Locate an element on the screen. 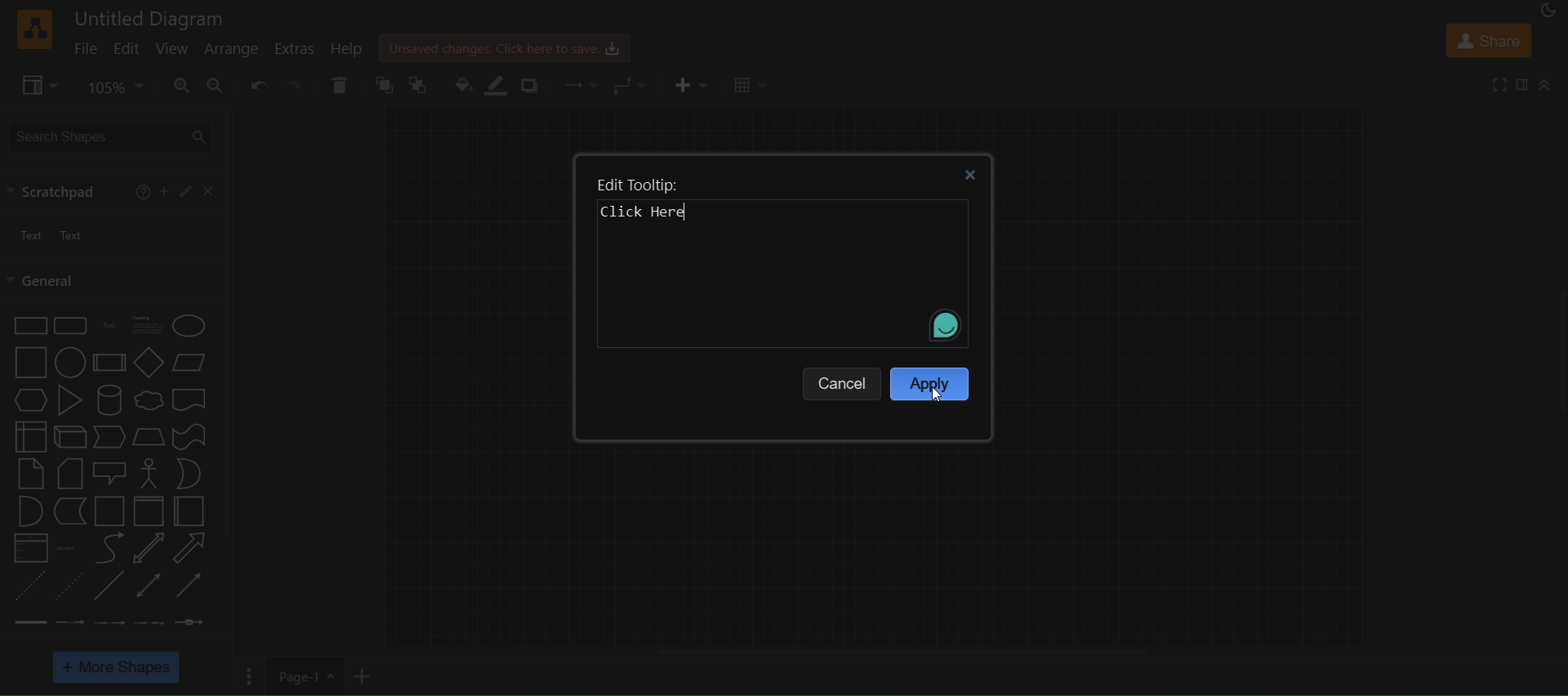 The image size is (1568, 696). insert is located at coordinates (688, 83).